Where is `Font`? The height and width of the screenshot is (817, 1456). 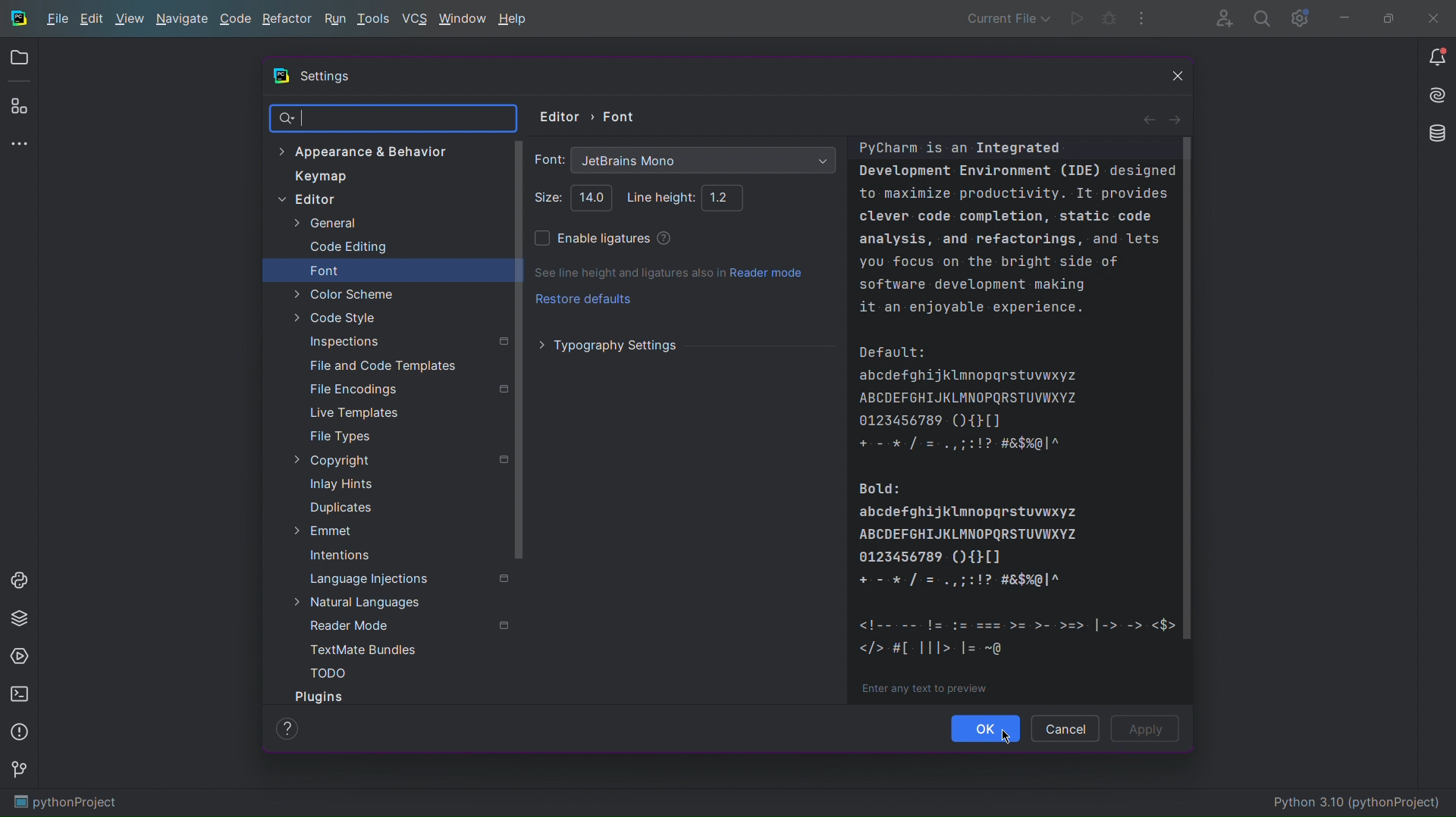 Font is located at coordinates (706, 160).